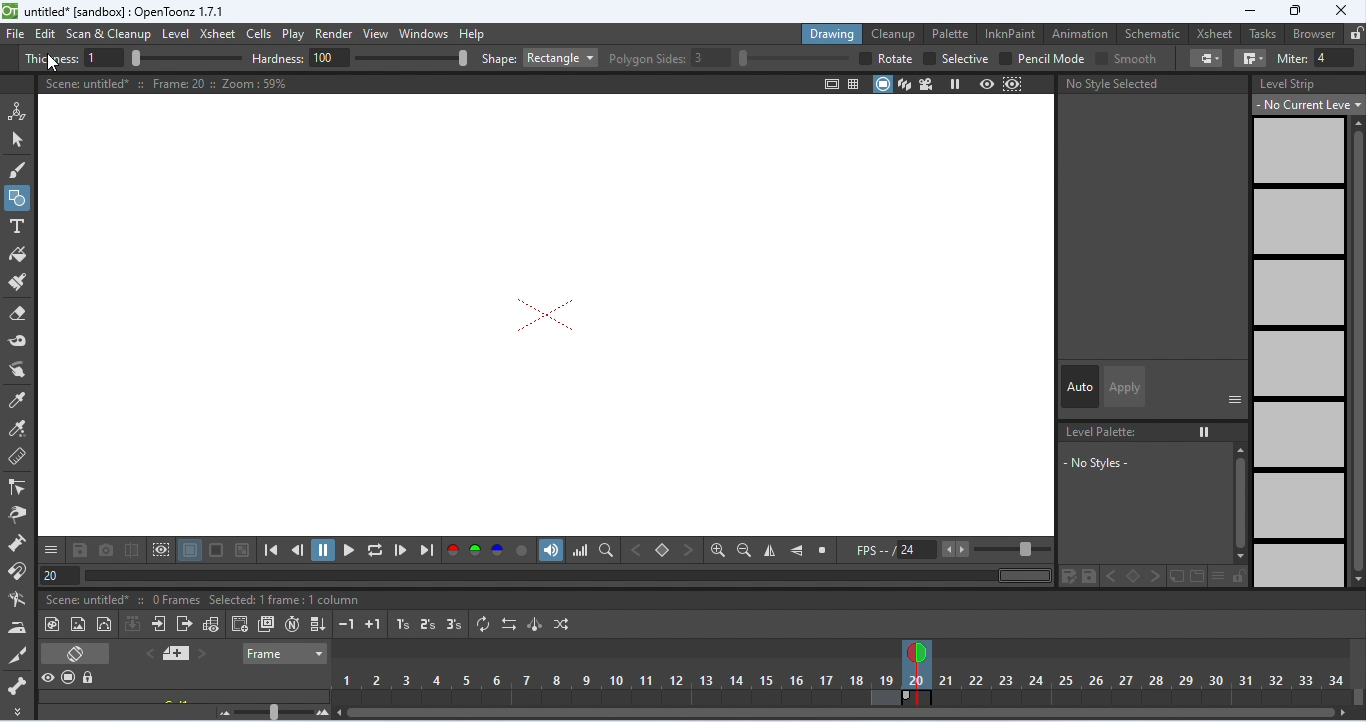  Describe the element at coordinates (268, 626) in the screenshot. I see `duplicate drawing` at that location.